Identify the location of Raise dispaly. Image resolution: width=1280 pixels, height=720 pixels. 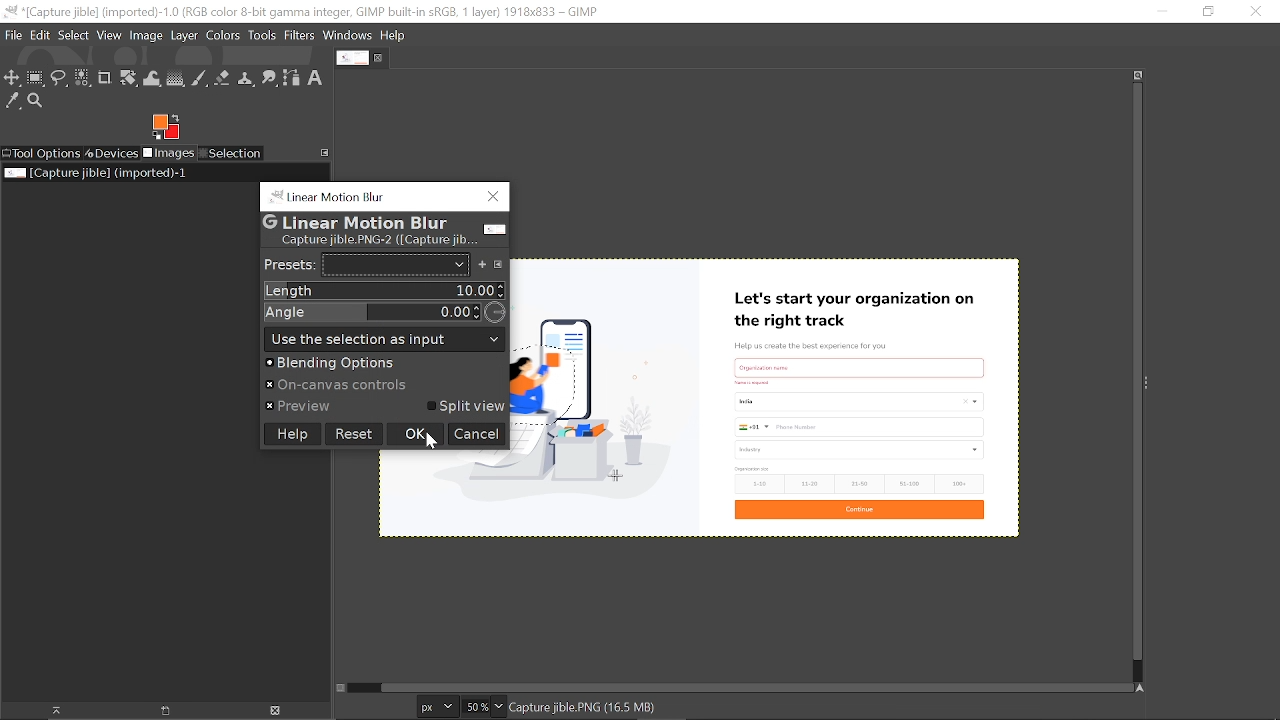
(50, 711).